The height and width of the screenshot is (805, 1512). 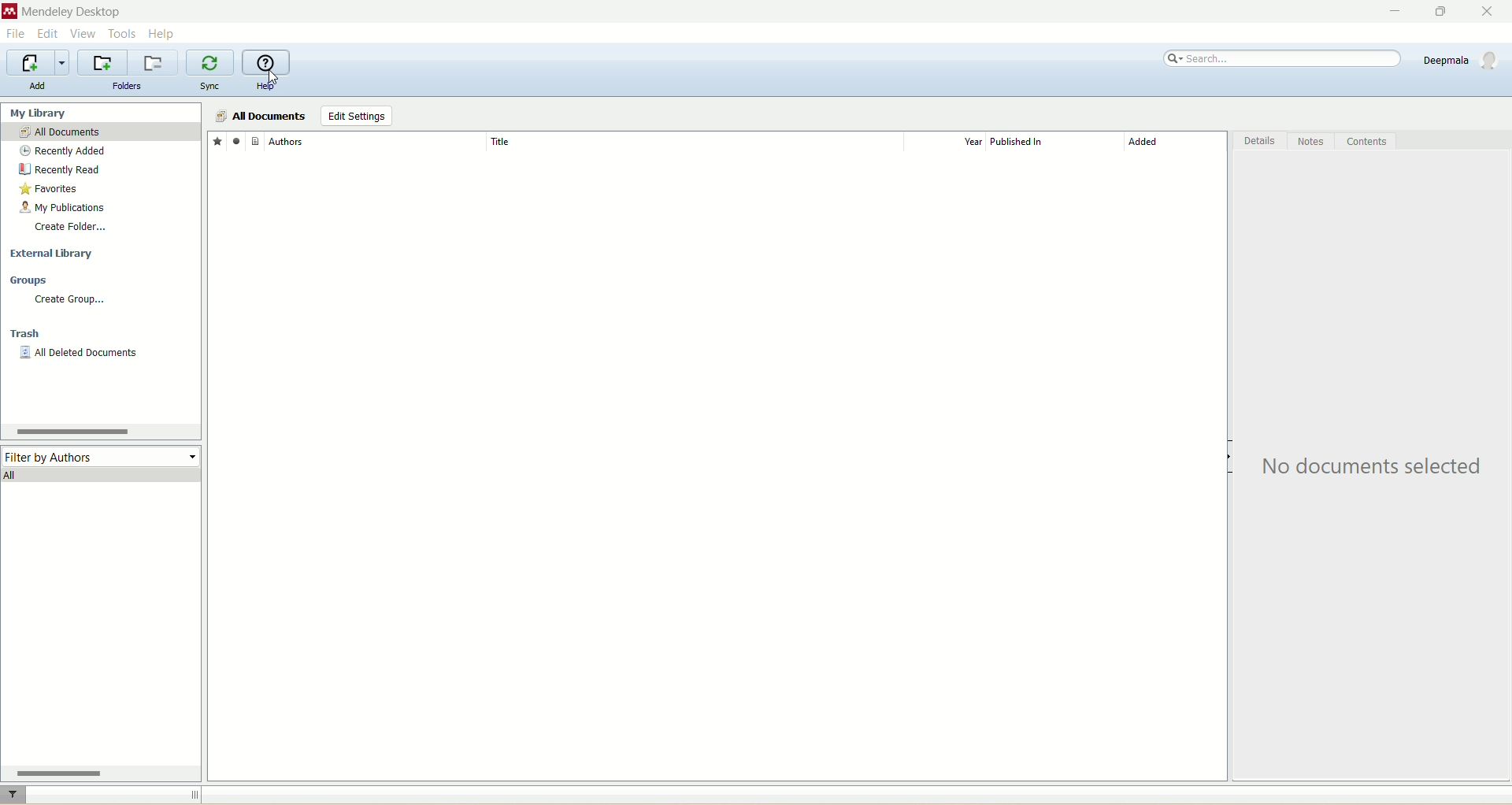 I want to click on add, so click(x=38, y=85).